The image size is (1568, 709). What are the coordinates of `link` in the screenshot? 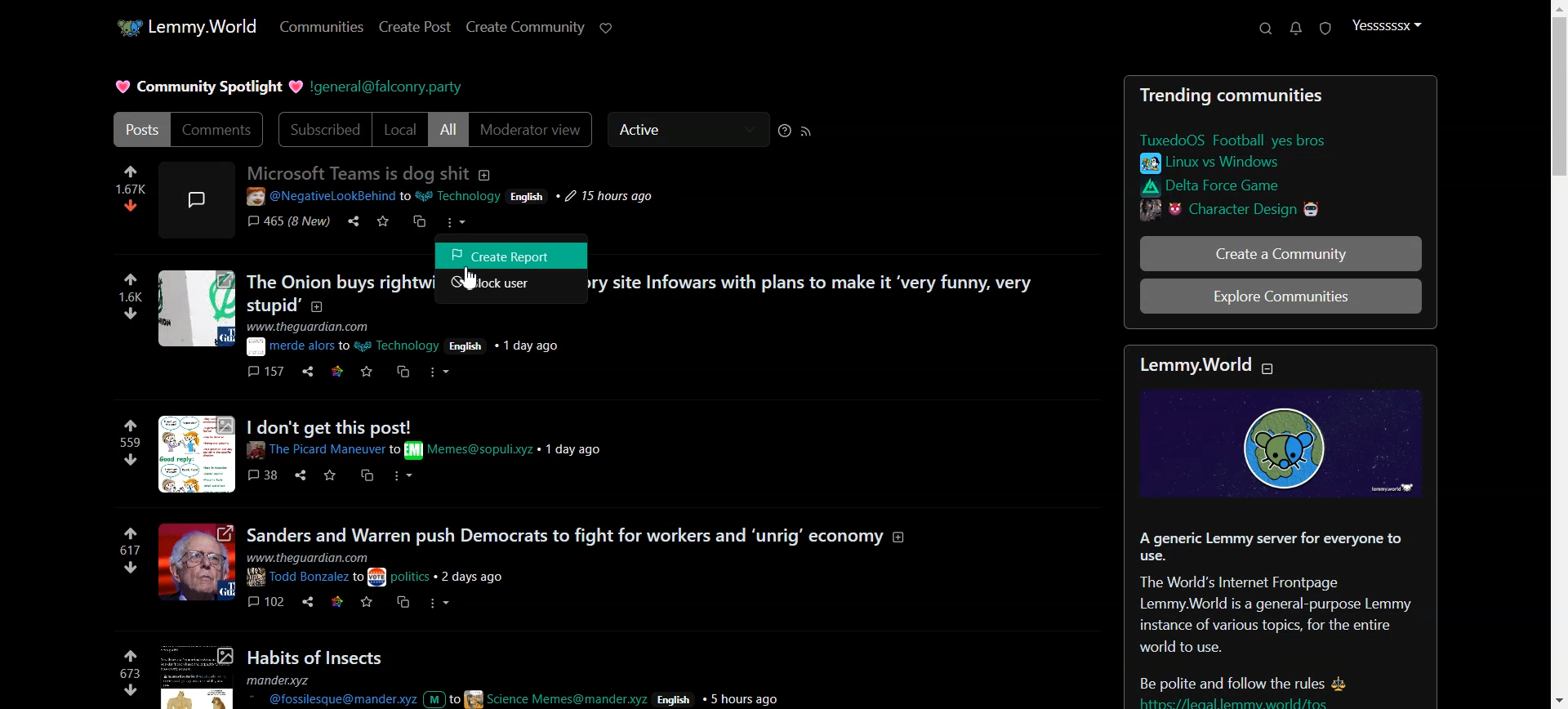 It's located at (131, 534).